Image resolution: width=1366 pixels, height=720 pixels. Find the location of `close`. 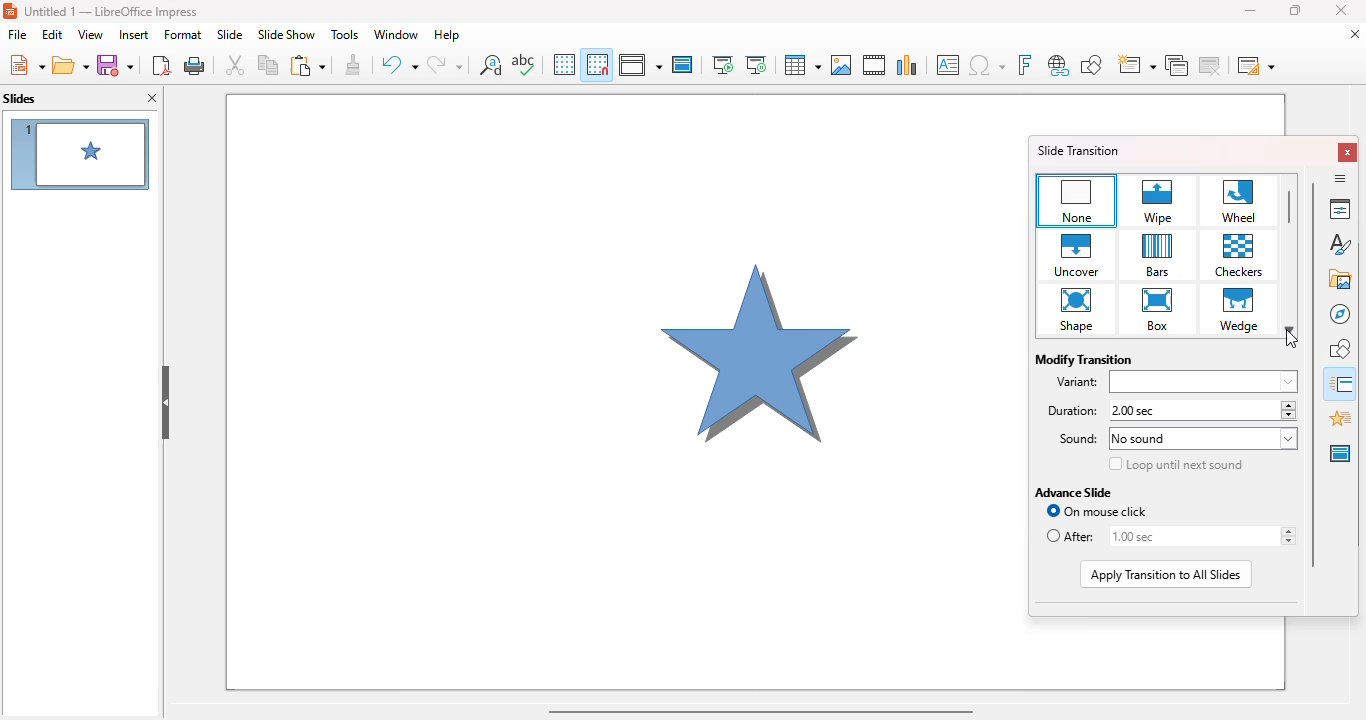

close is located at coordinates (1349, 152).